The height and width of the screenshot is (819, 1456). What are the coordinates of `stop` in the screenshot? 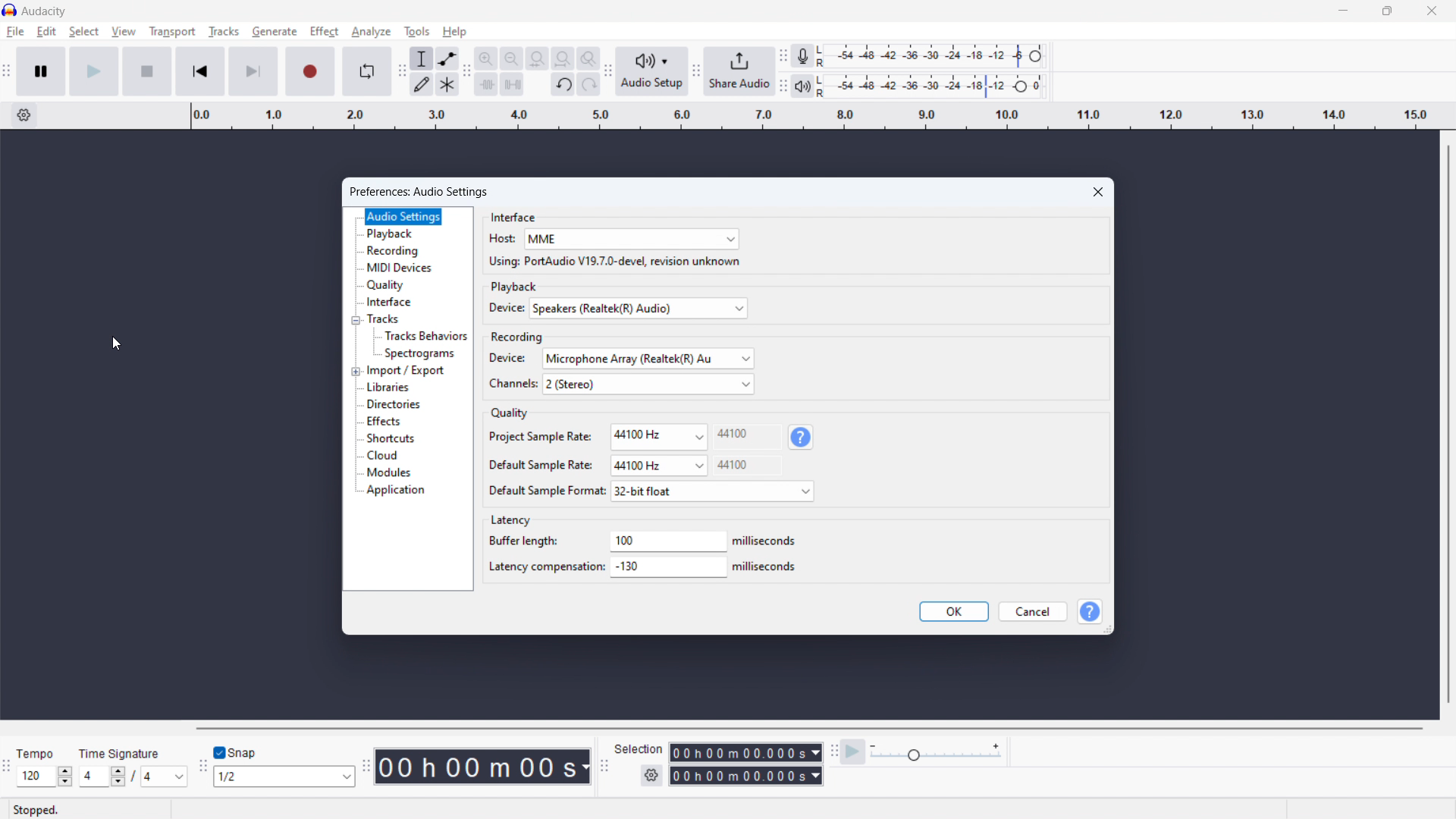 It's located at (147, 71).